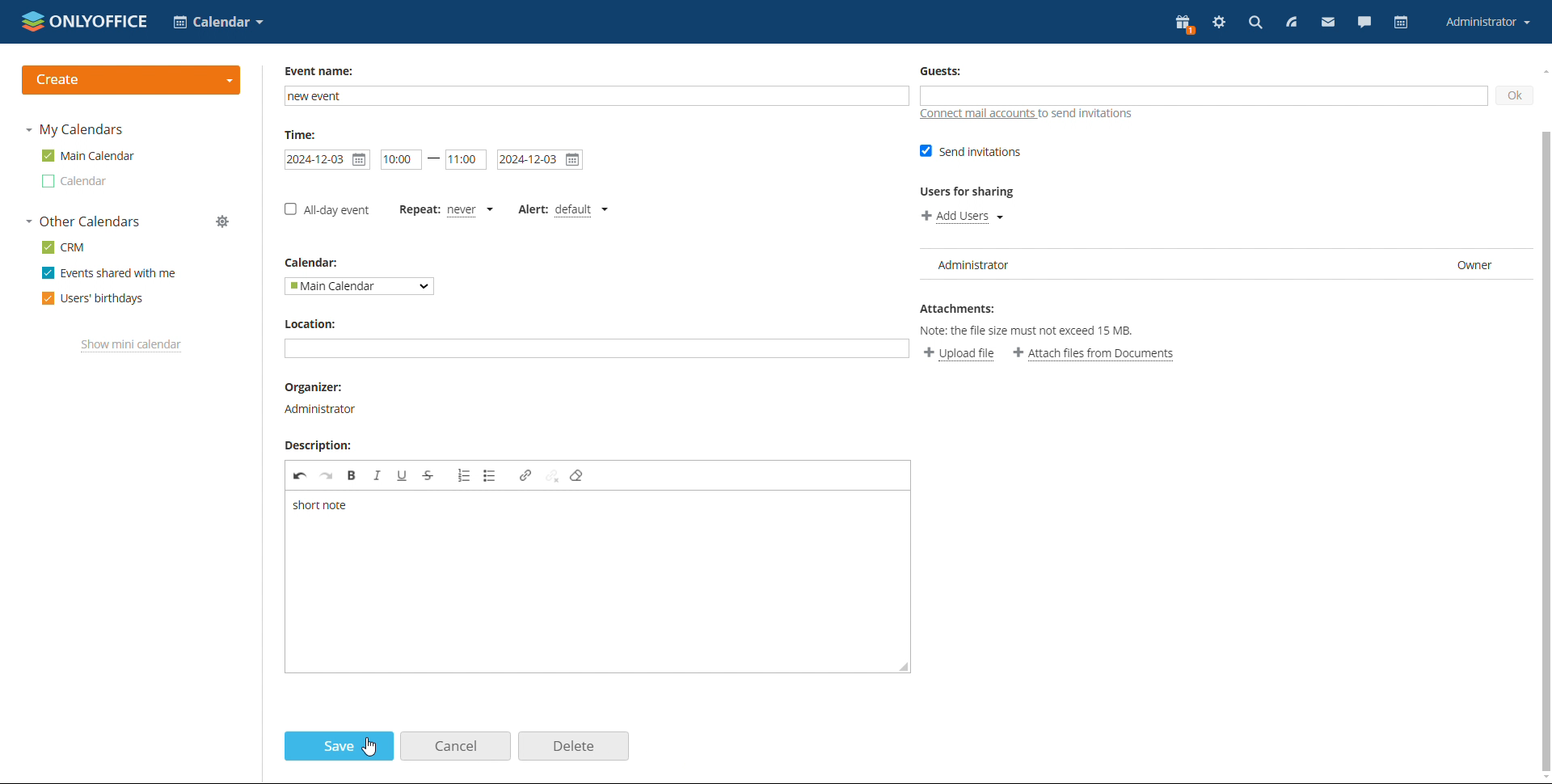 The image size is (1552, 784). I want to click on Attachments:, so click(962, 311).